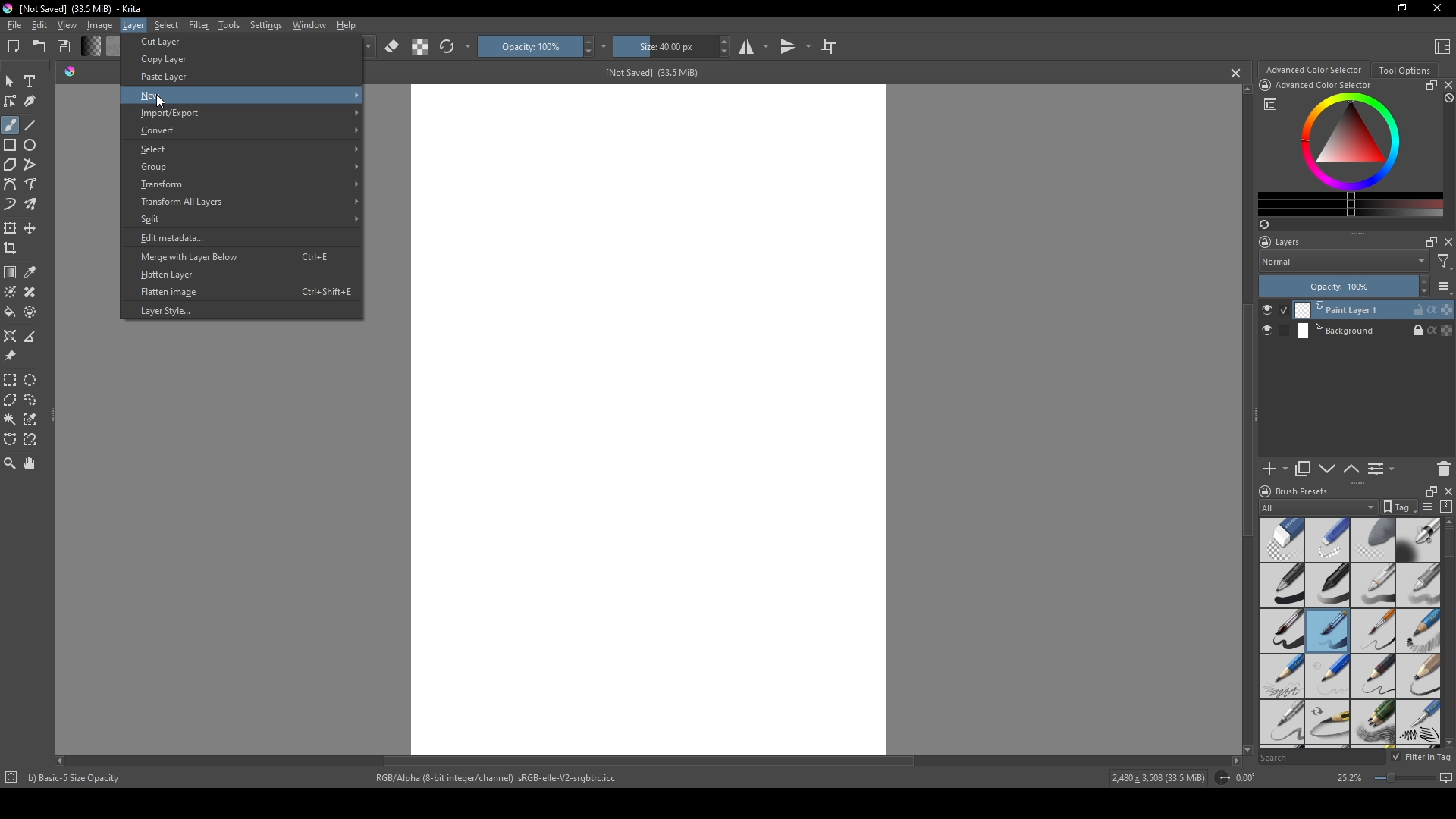 The height and width of the screenshot is (819, 1456). I want to click on decrease, so click(1423, 293).